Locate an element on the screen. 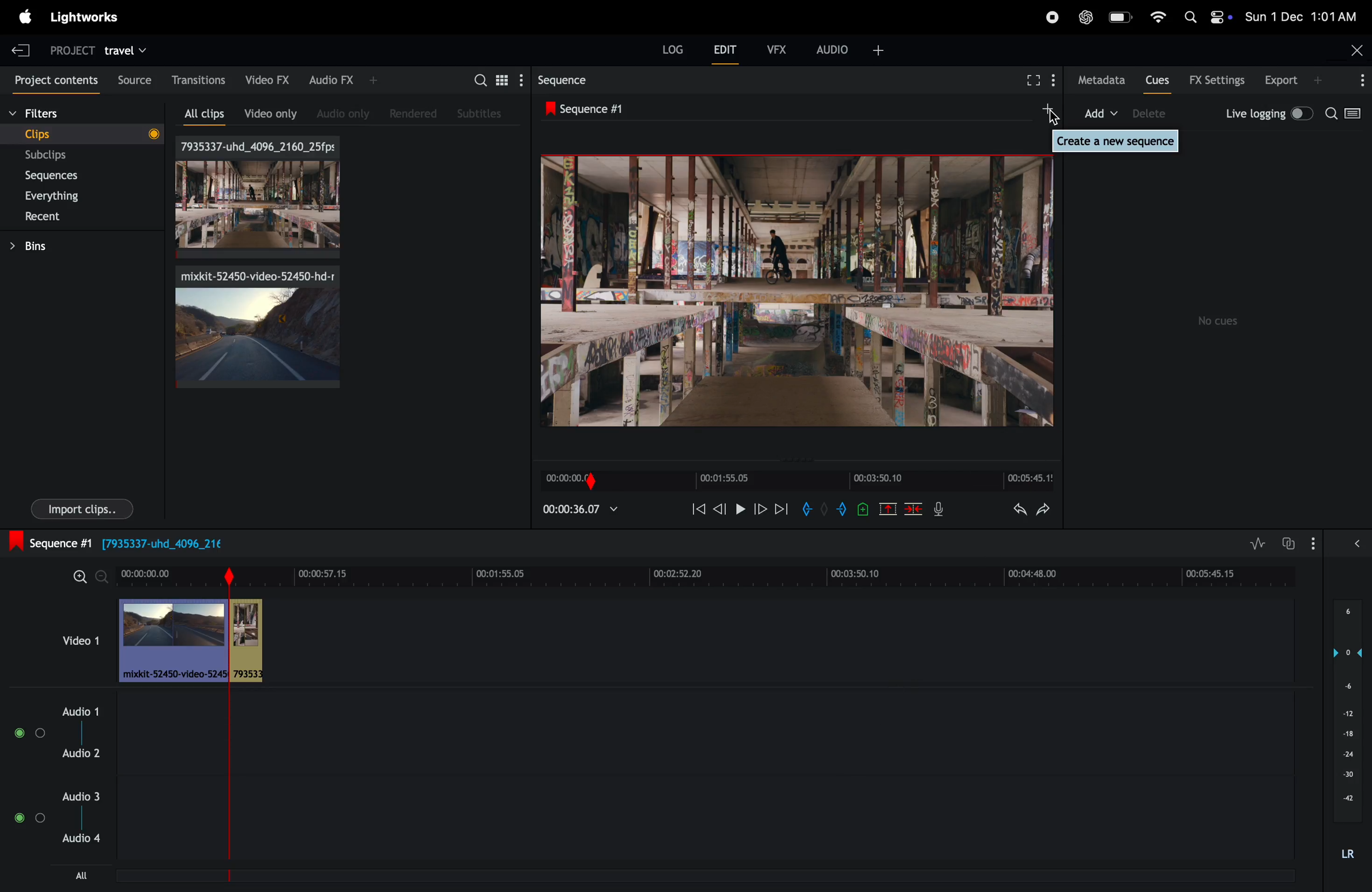  lightworks is located at coordinates (92, 17).